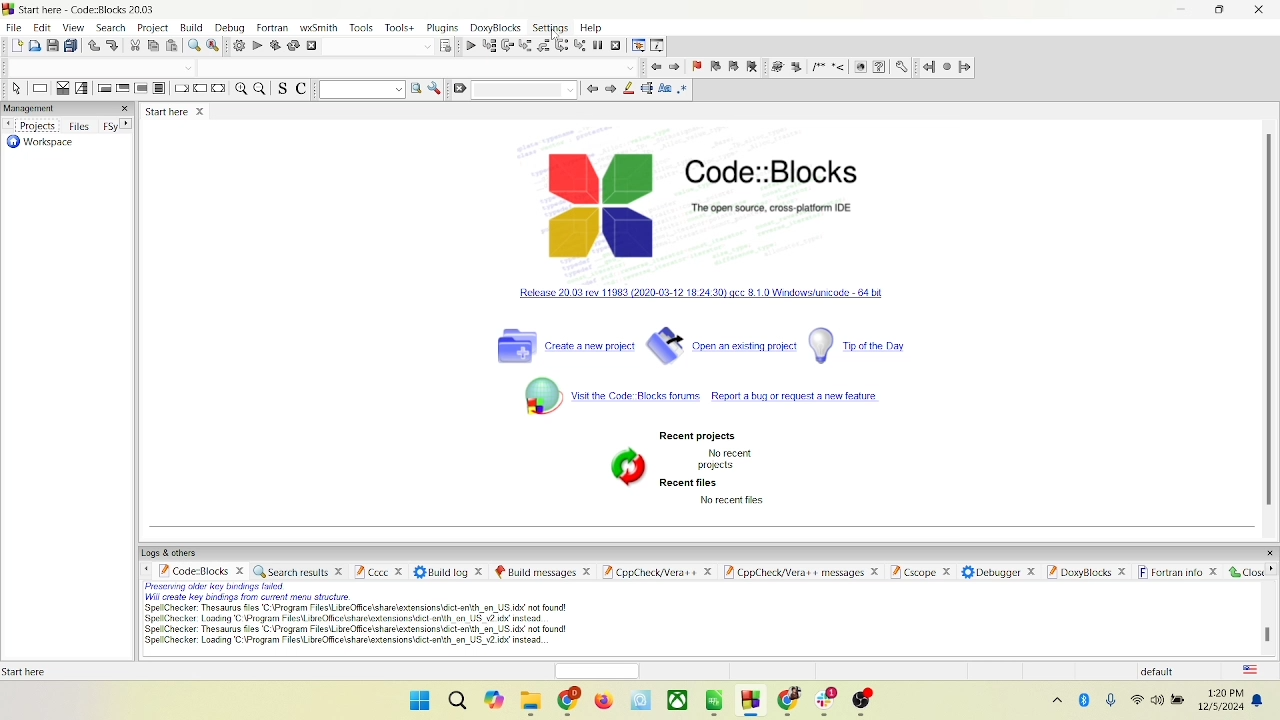 The image size is (1280, 720). Describe the element at coordinates (1261, 10) in the screenshot. I see `close` at that location.